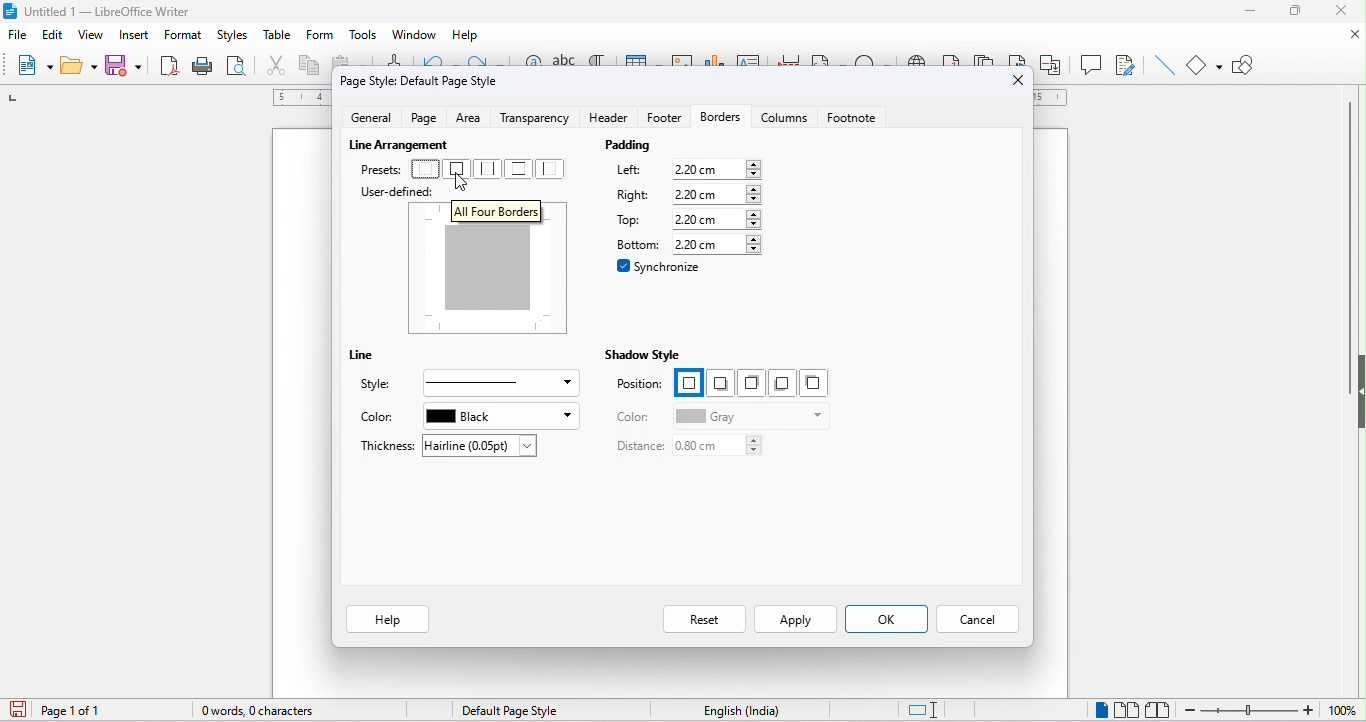  I want to click on area, so click(473, 117).